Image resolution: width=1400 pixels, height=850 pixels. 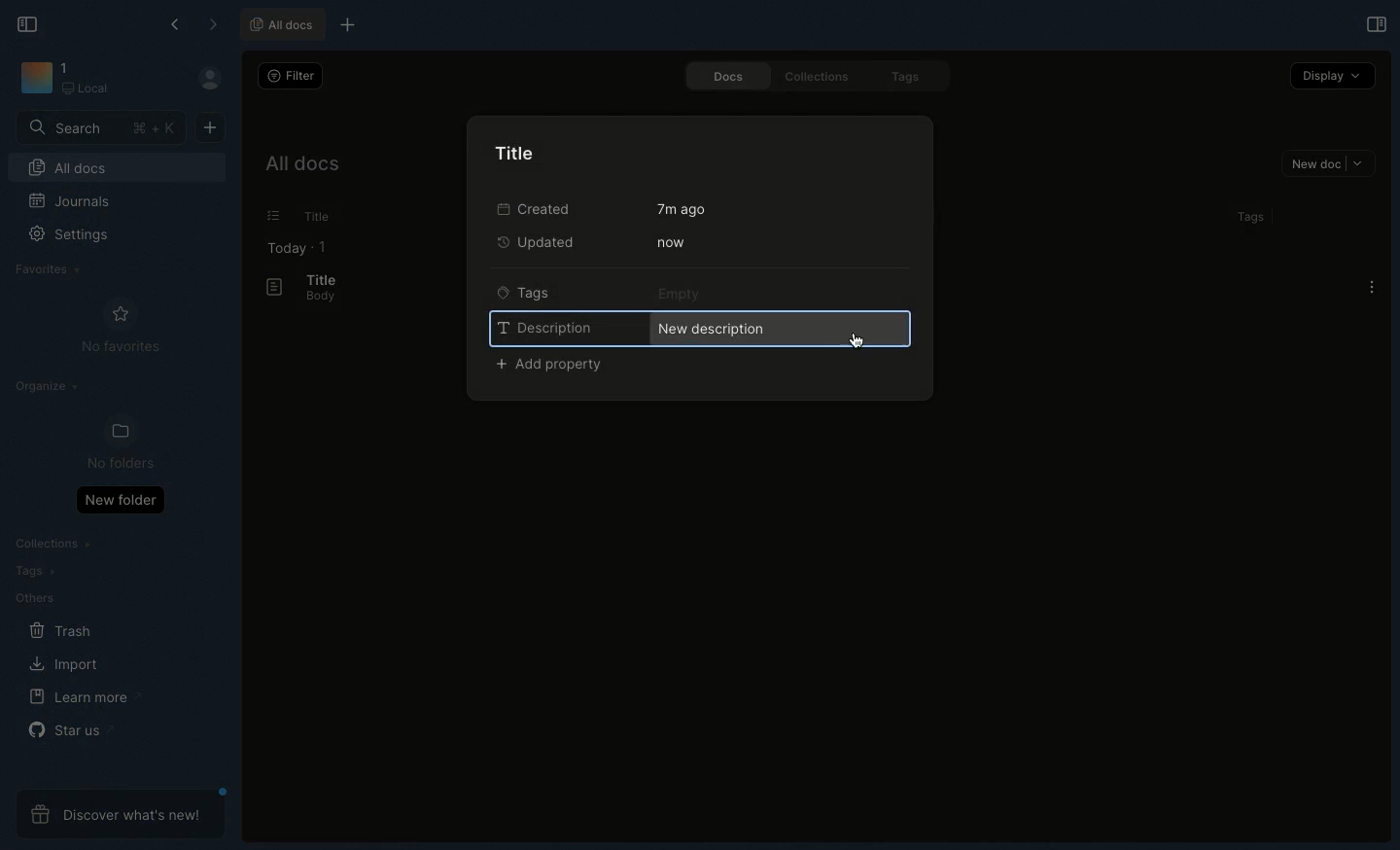 I want to click on Title, so click(x=313, y=217).